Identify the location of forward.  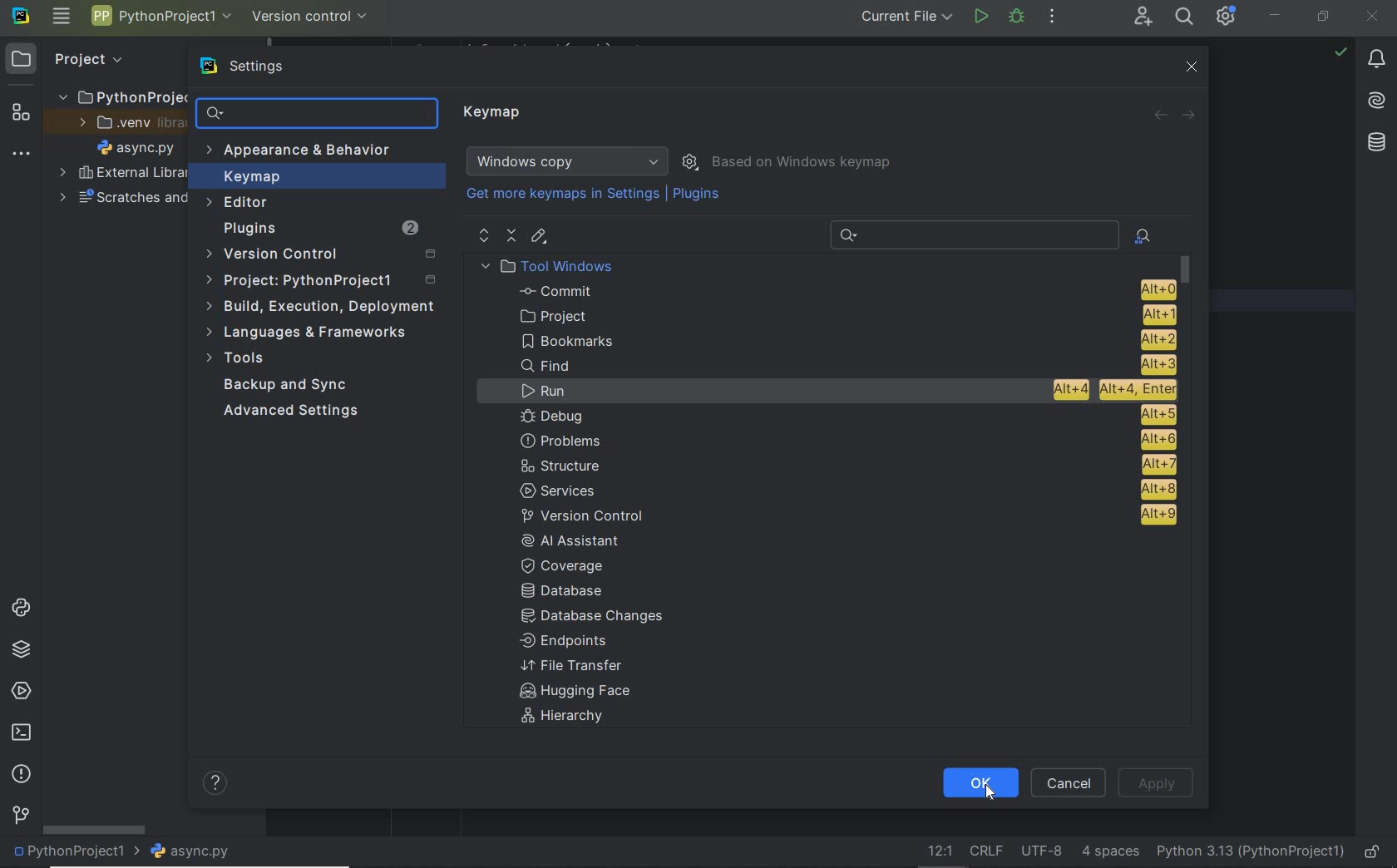
(1190, 114).